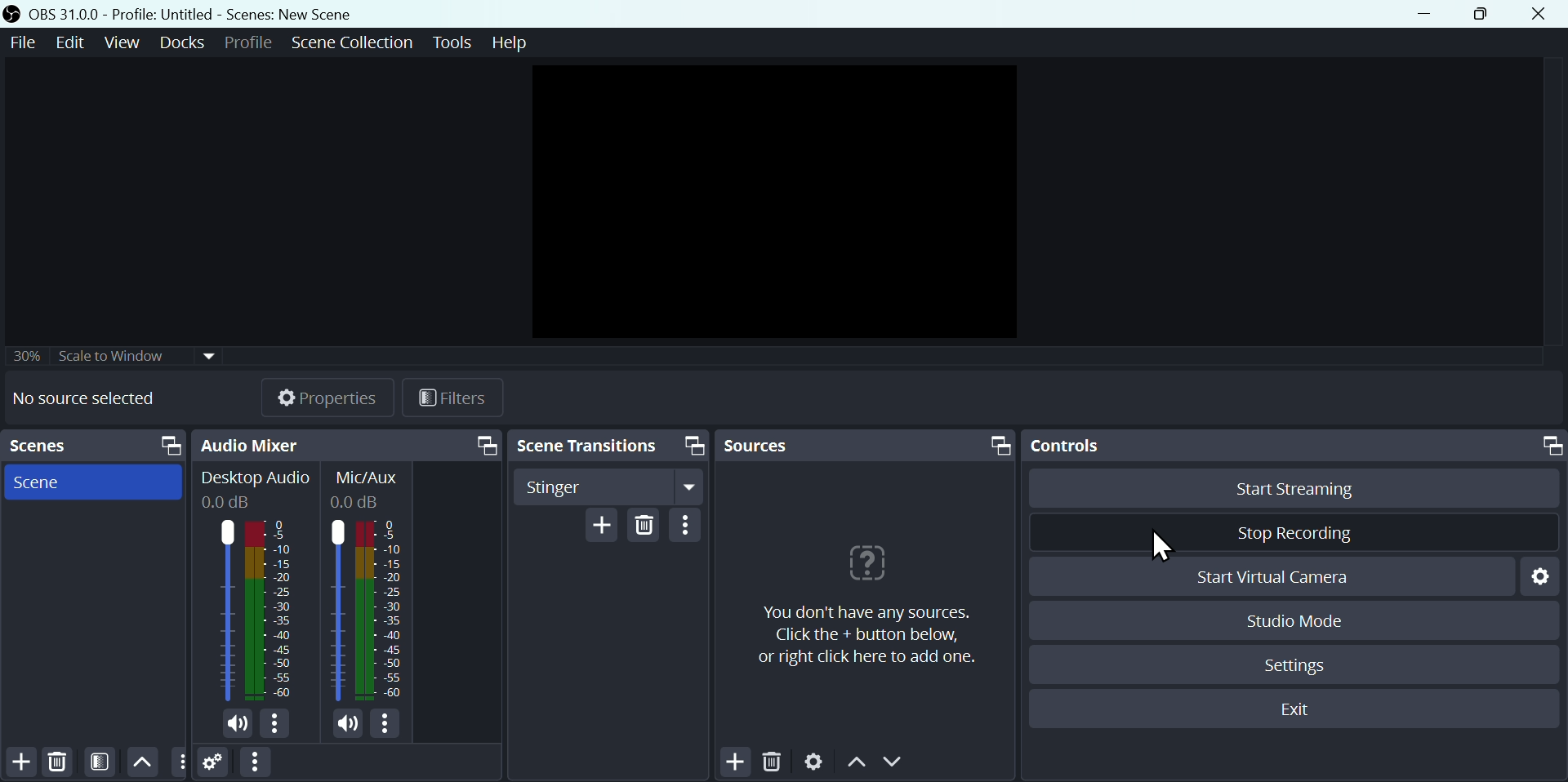 This screenshot has width=1568, height=782. Describe the element at coordinates (588, 446) in the screenshot. I see `Scene transition` at that location.